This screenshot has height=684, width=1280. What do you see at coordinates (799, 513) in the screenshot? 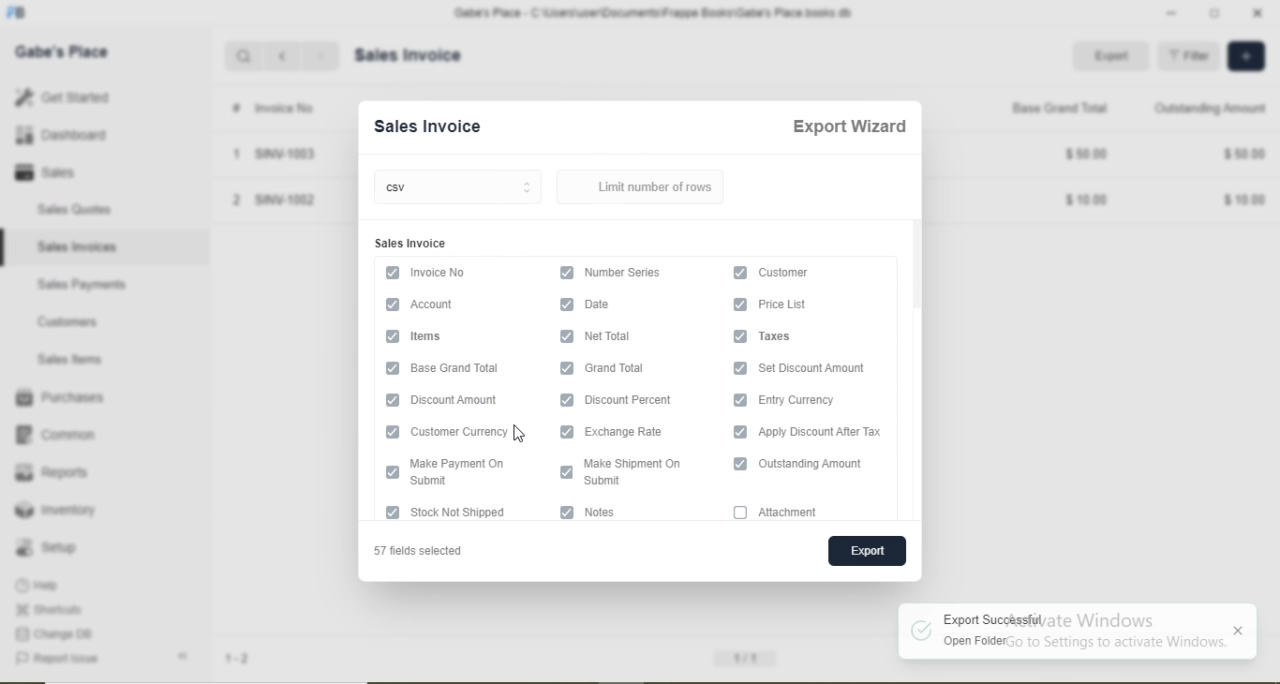
I see `attachment` at bounding box center [799, 513].